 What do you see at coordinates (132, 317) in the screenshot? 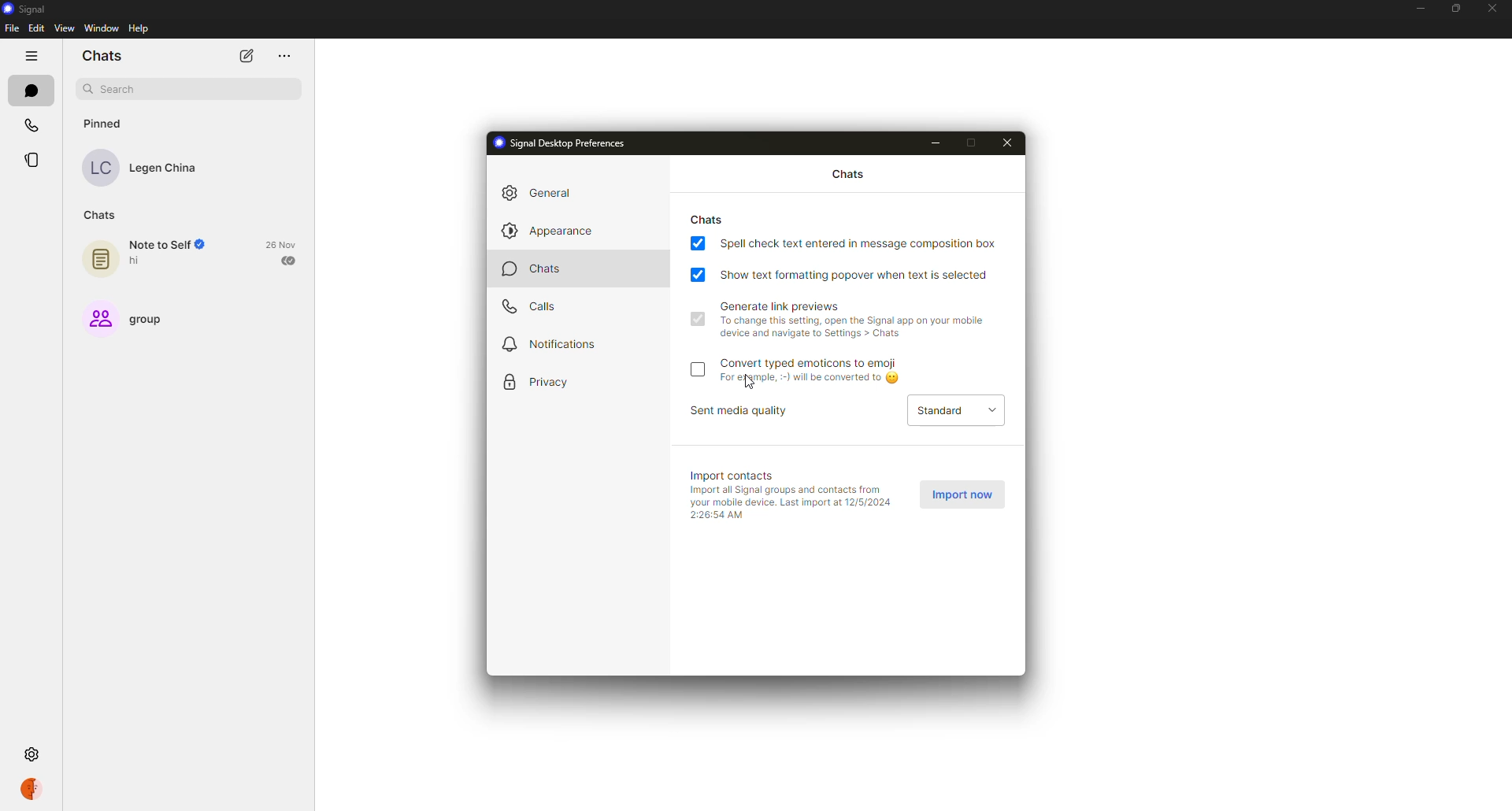
I see `group` at bounding box center [132, 317].